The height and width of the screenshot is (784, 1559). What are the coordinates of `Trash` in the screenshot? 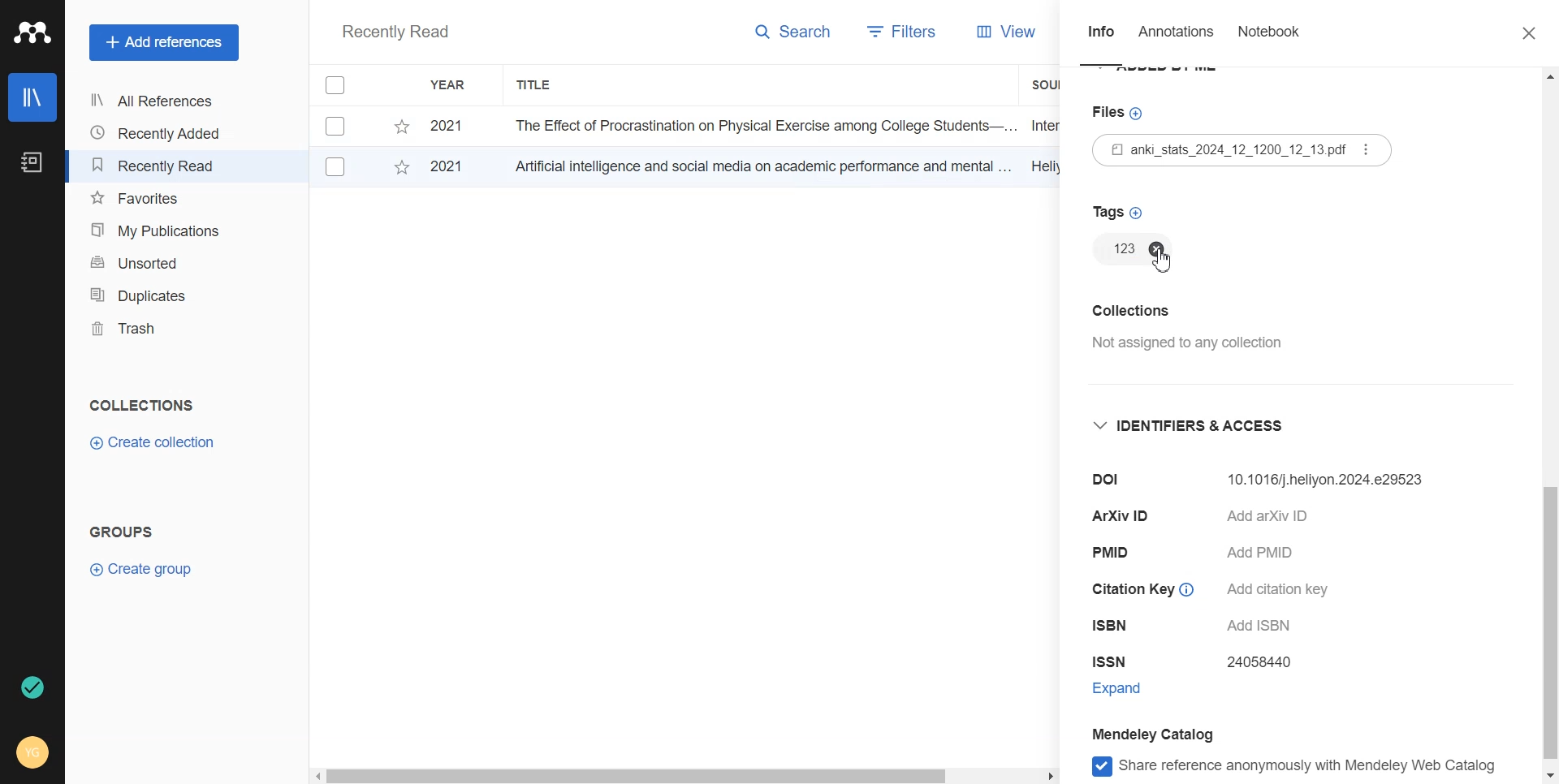 It's located at (159, 329).